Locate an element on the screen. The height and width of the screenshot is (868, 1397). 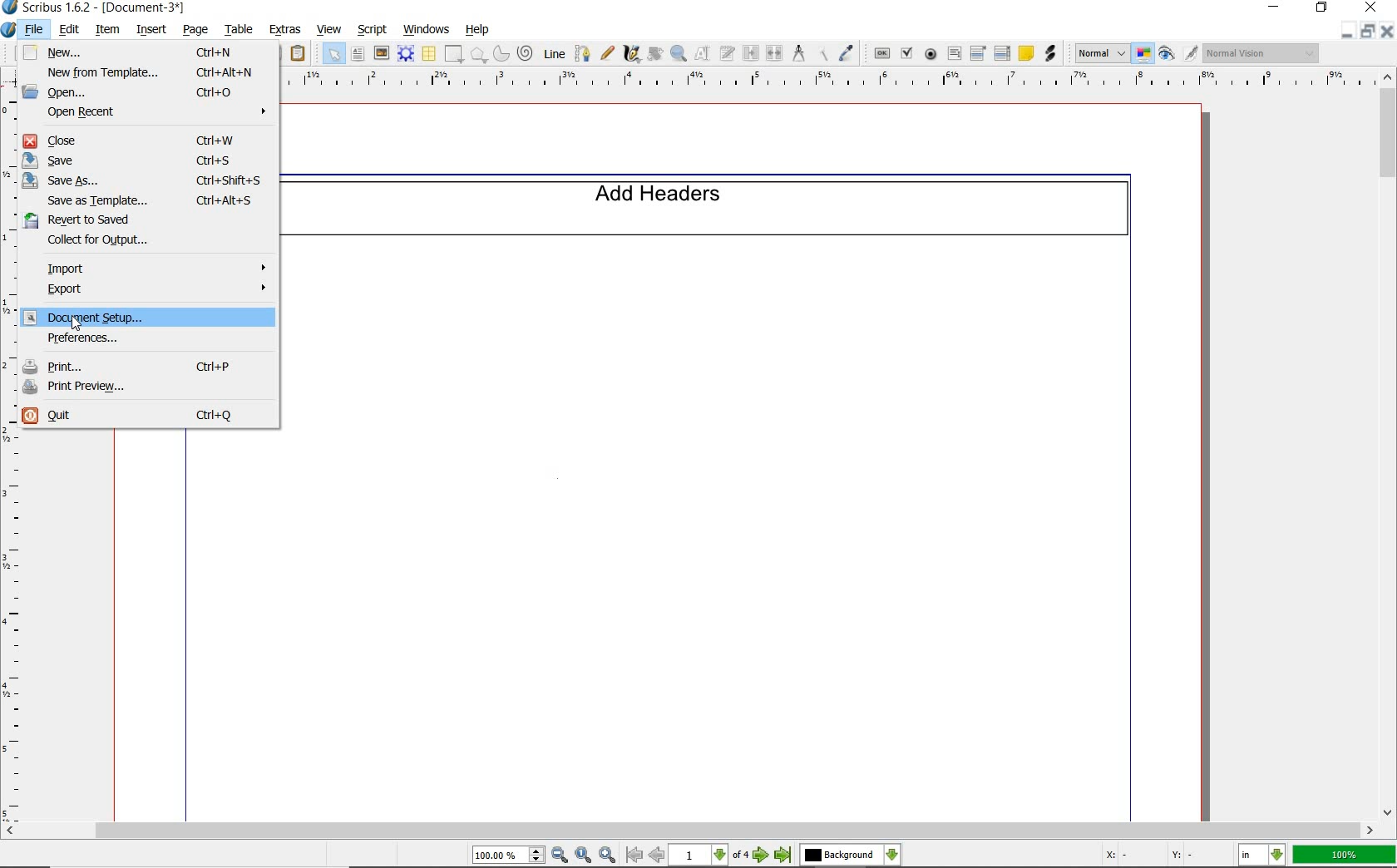
page is located at coordinates (195, 31).